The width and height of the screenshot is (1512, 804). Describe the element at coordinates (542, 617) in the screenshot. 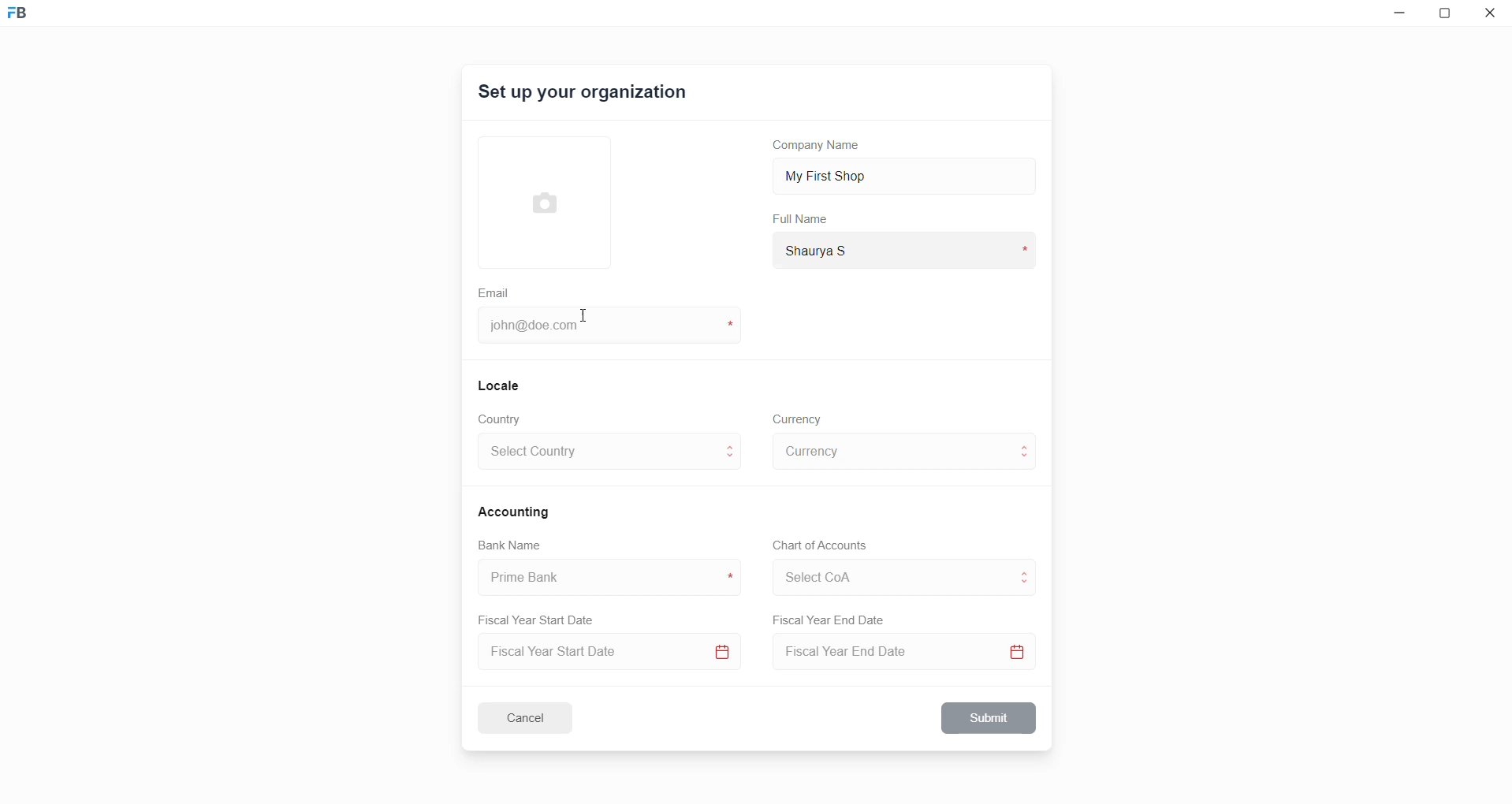

I see `Fiscal Year Start Date` at that location.